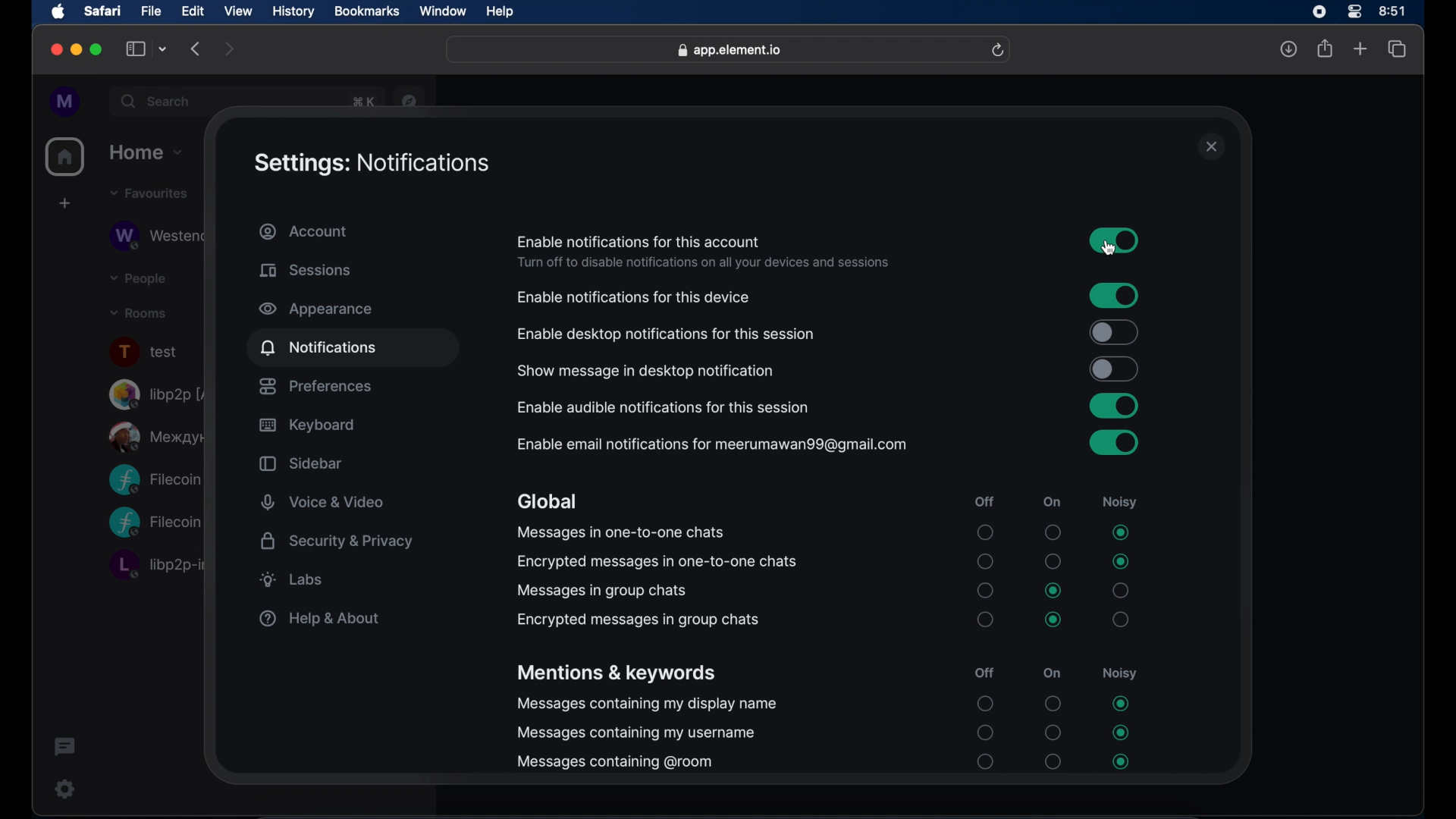 The image size is (1456, 819). What do you see at coordinates (77, 49) in the screenshot?
I see `minimize` at bounding box center [77, 49].